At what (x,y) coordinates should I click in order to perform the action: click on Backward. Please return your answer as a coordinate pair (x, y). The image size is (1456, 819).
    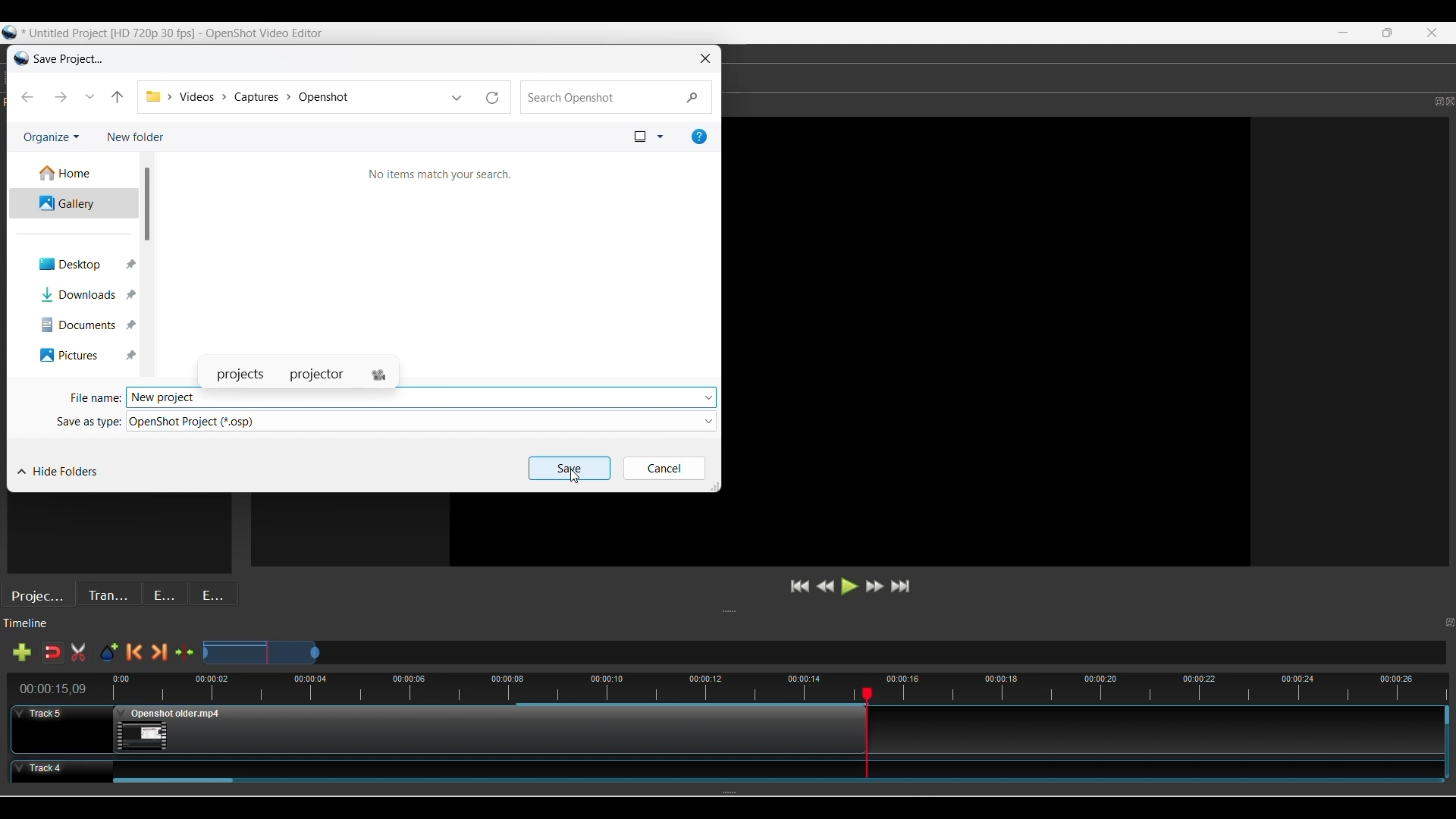
    Looking at the image, I should click on (27, 96).